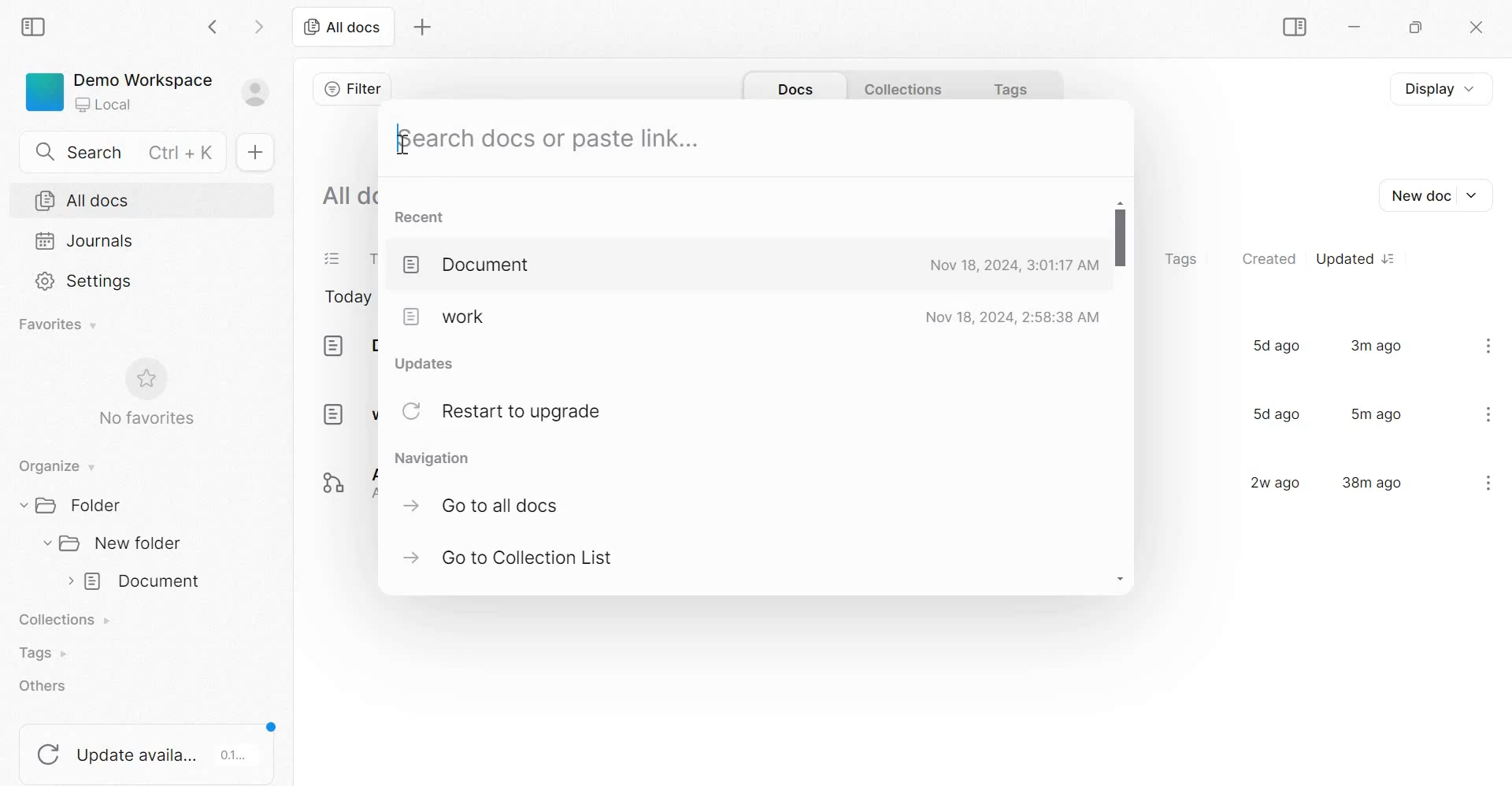 The height and width of the screenshot is (786, 1512). I want to click on Folder, so click(76, 504).